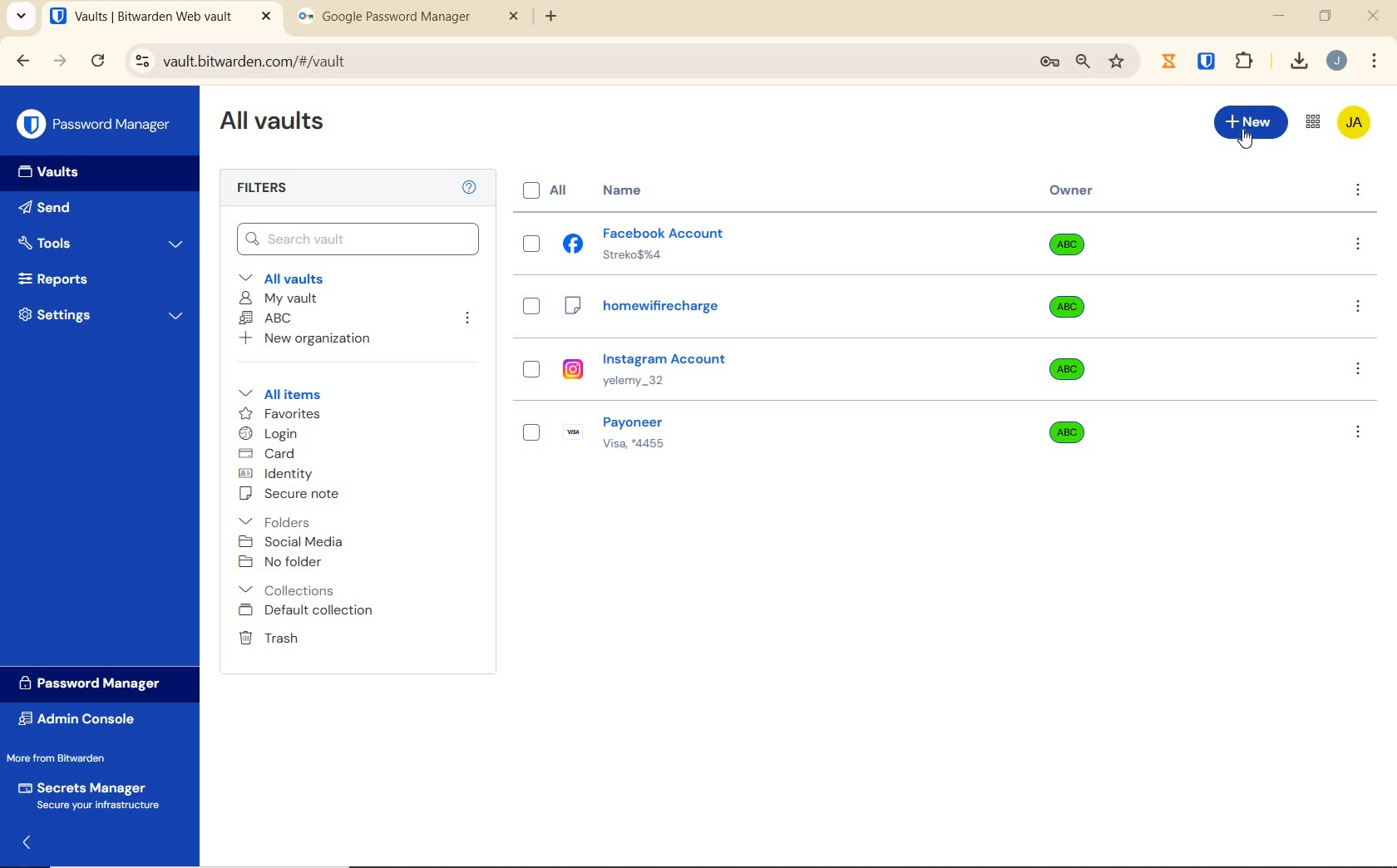 The width and height of the screenshot is (1397, 868). What do you see at coordinates (277, 392) in the screenshot?
I see `All items` at bounding box center [277, 392].